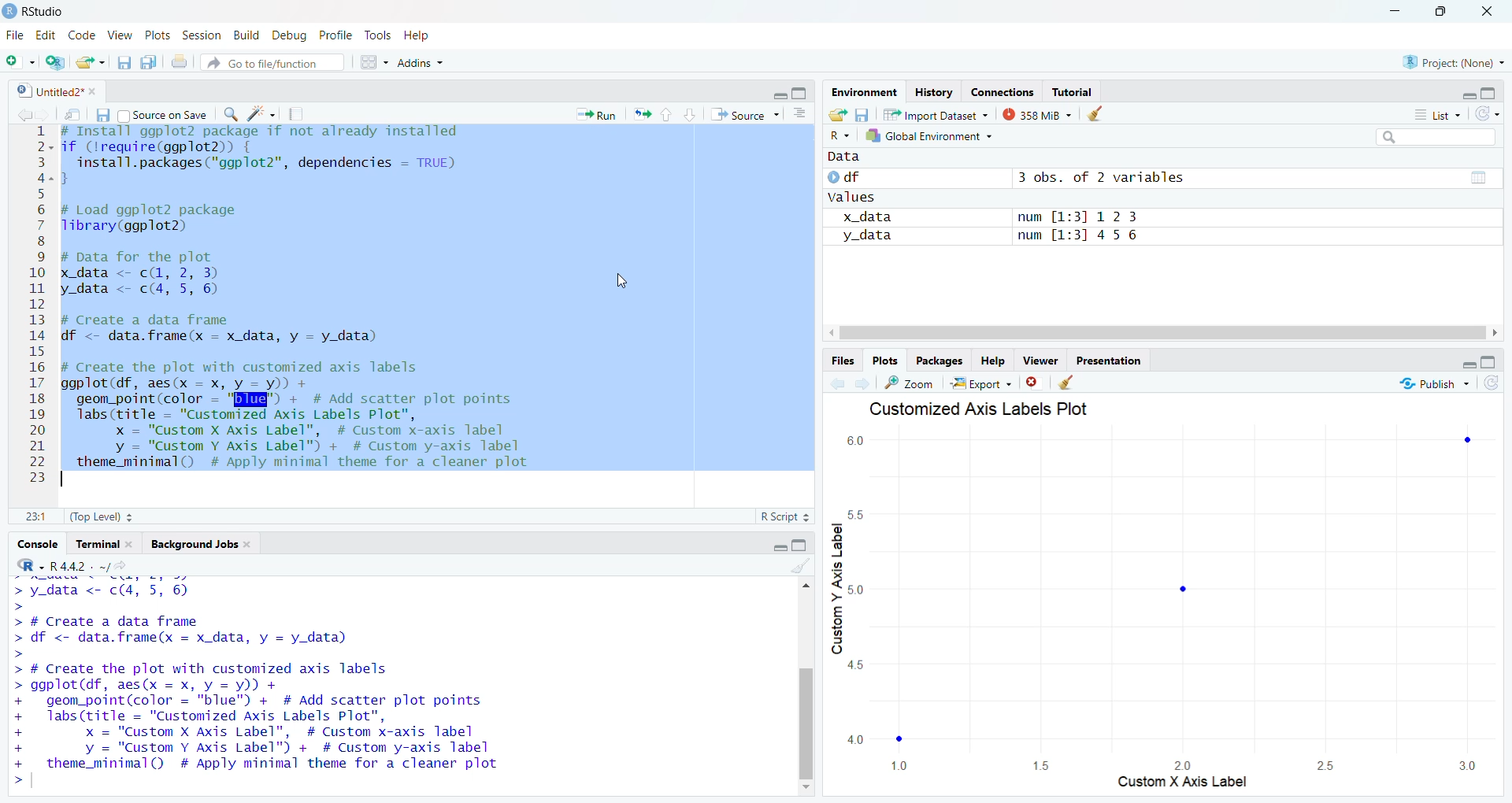  Describe the element at coordinates (1476, 177) in the screenshot. I see `view` at that location.